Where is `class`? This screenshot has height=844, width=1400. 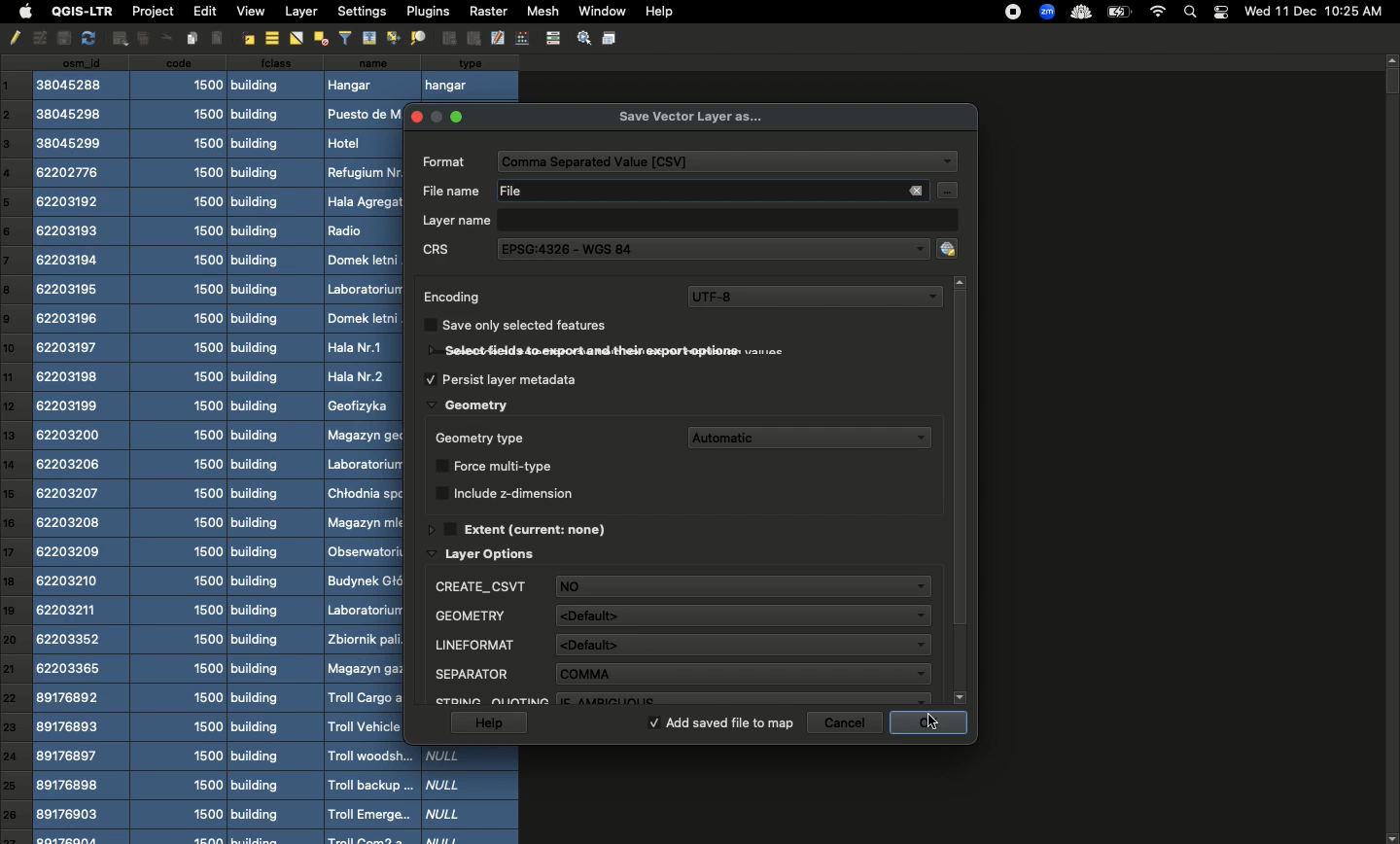
class is located at coordinates (274, 448).